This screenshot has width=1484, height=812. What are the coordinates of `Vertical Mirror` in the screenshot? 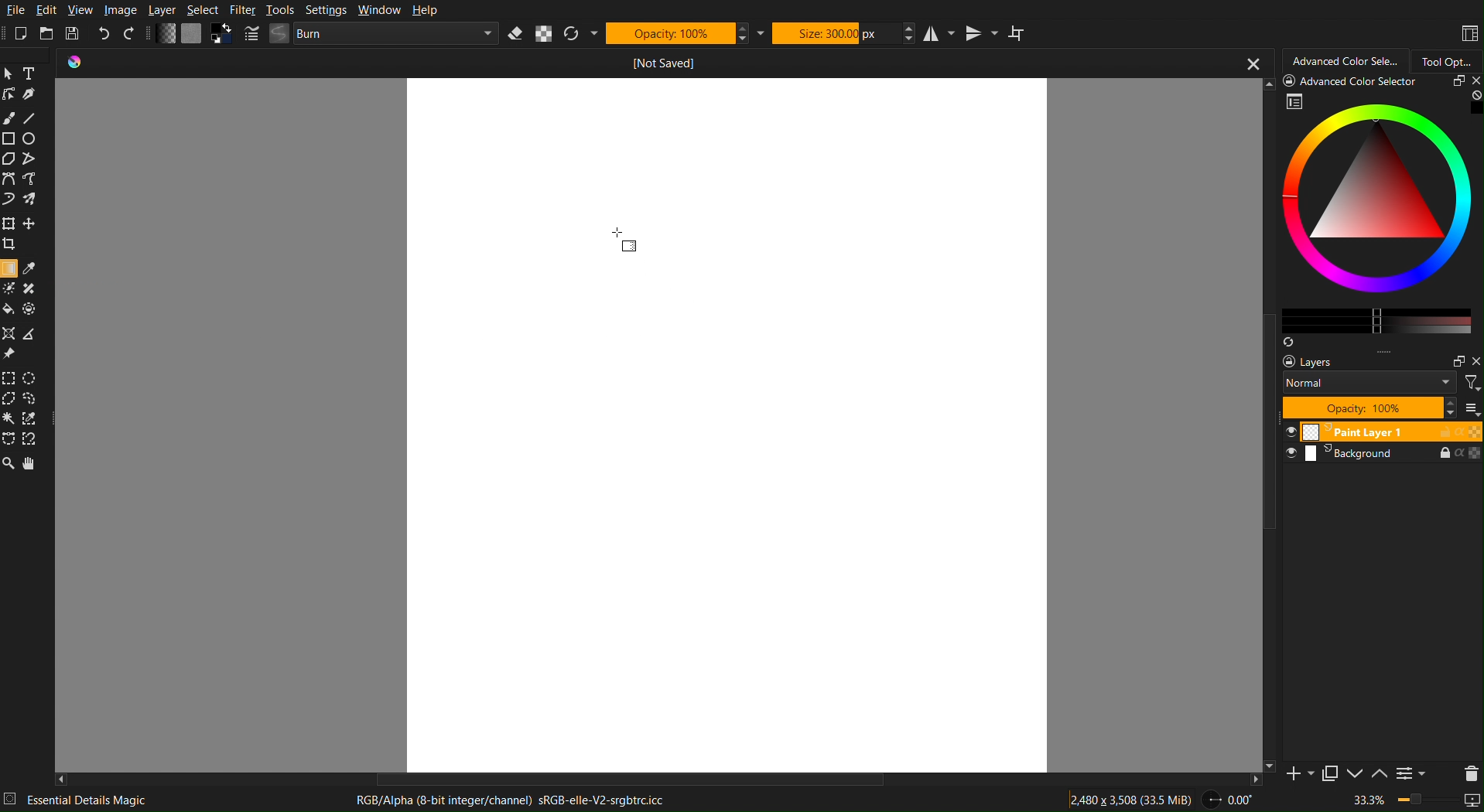 It's located at (980, 32).